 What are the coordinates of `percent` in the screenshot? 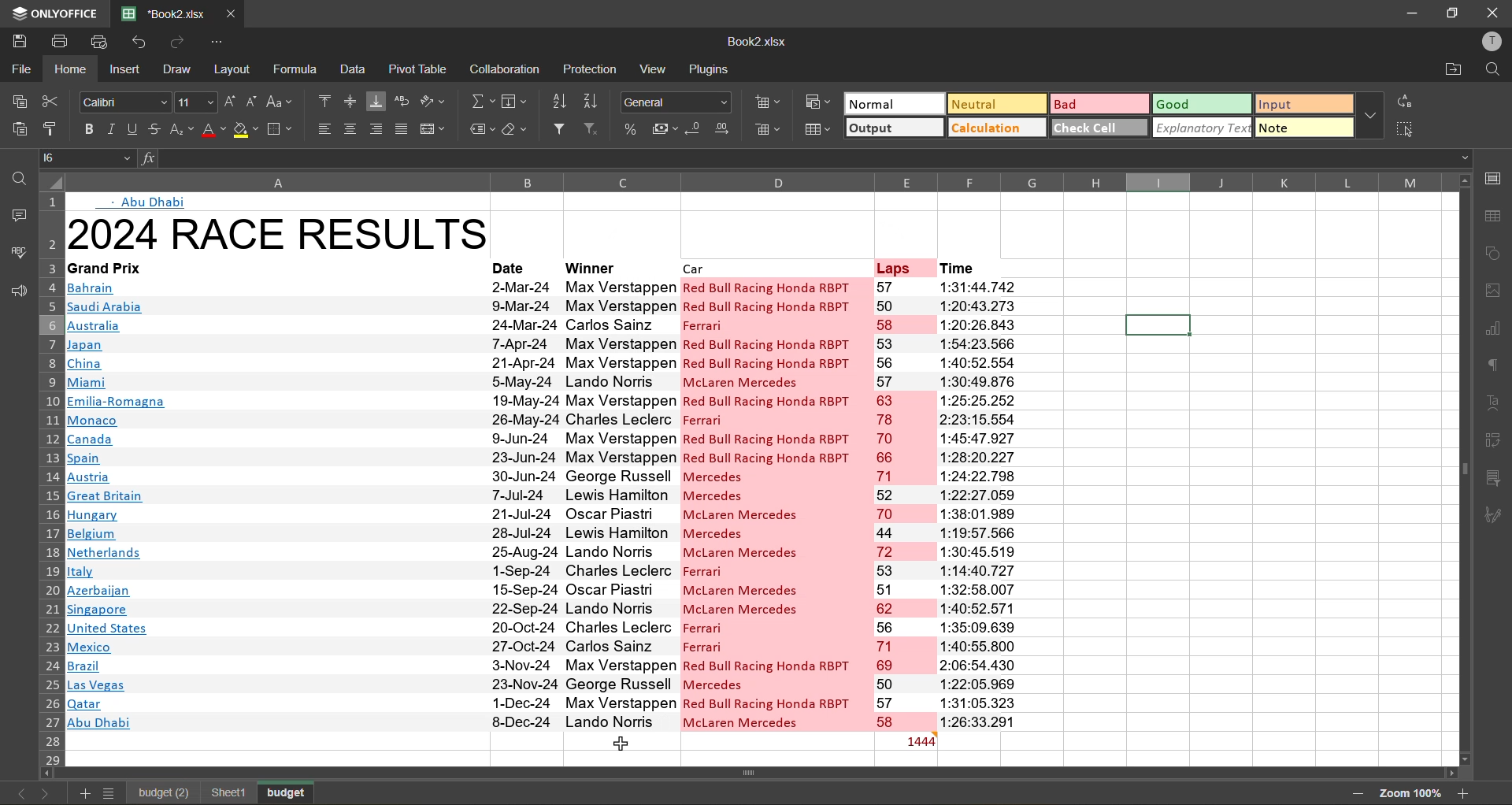 It's located at (632, 128).